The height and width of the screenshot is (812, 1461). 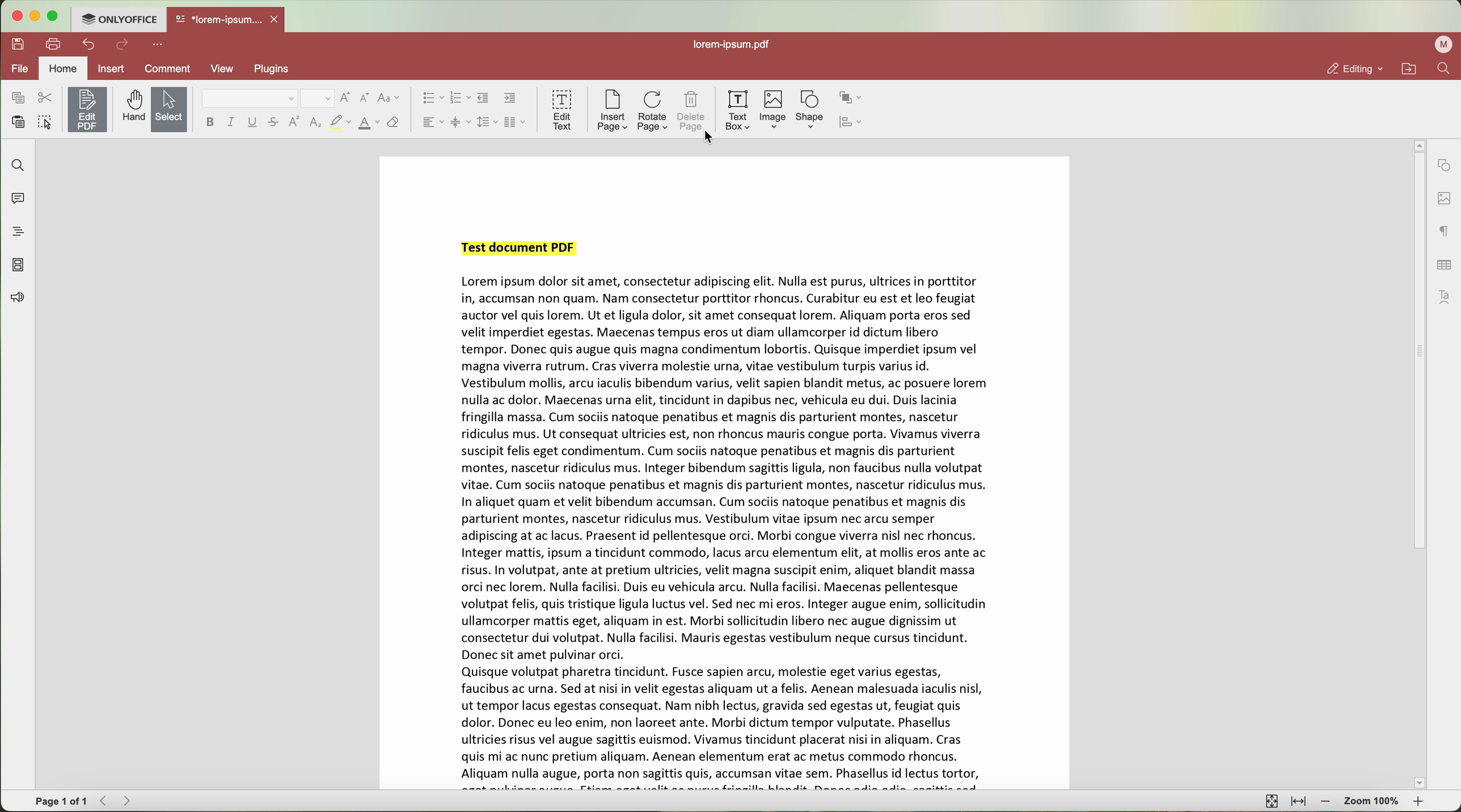 I want to click on delete page, so click(x=692, y=112).